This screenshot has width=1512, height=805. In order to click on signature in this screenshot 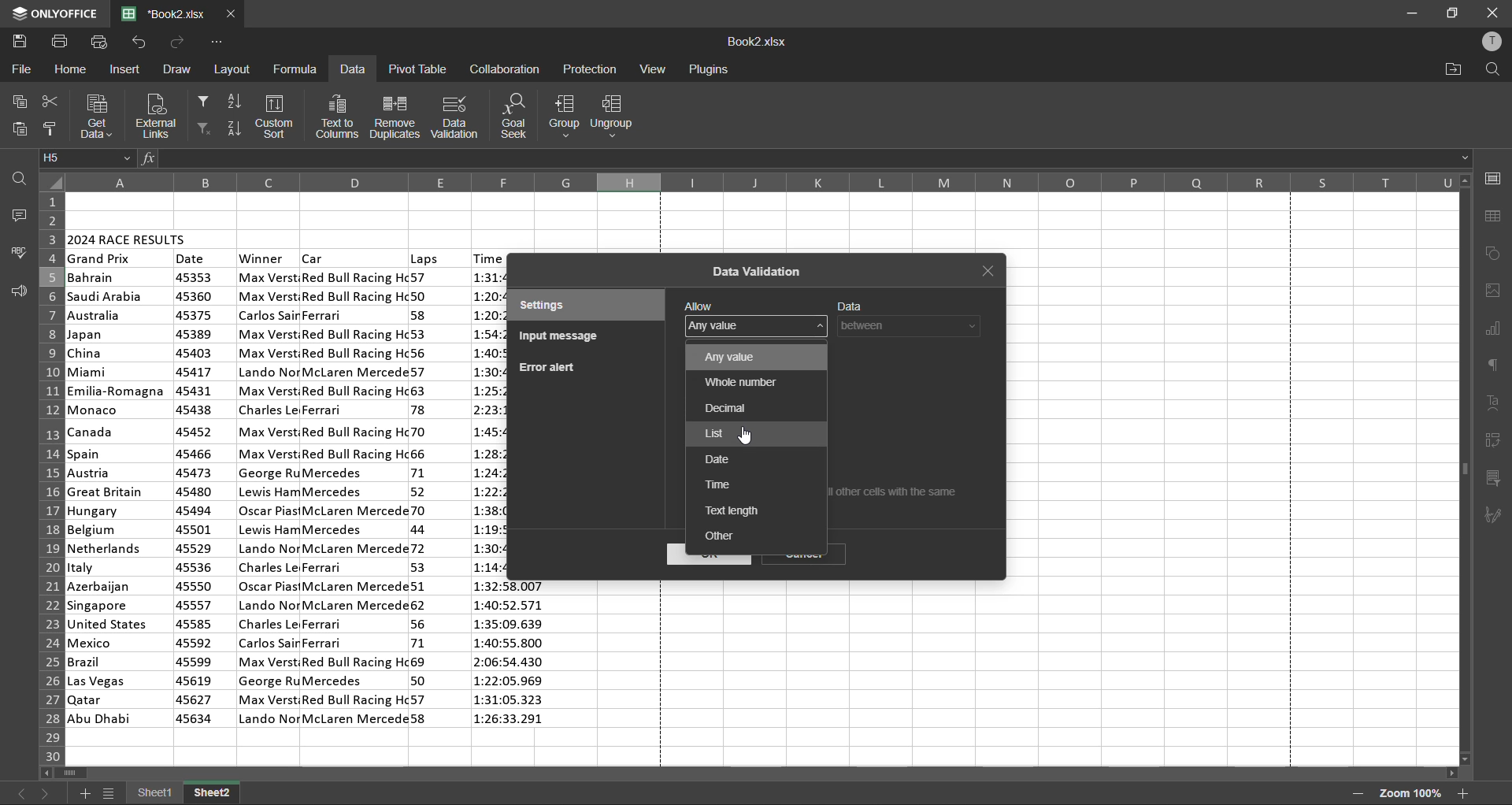, I will do `click(1496, 516)`.